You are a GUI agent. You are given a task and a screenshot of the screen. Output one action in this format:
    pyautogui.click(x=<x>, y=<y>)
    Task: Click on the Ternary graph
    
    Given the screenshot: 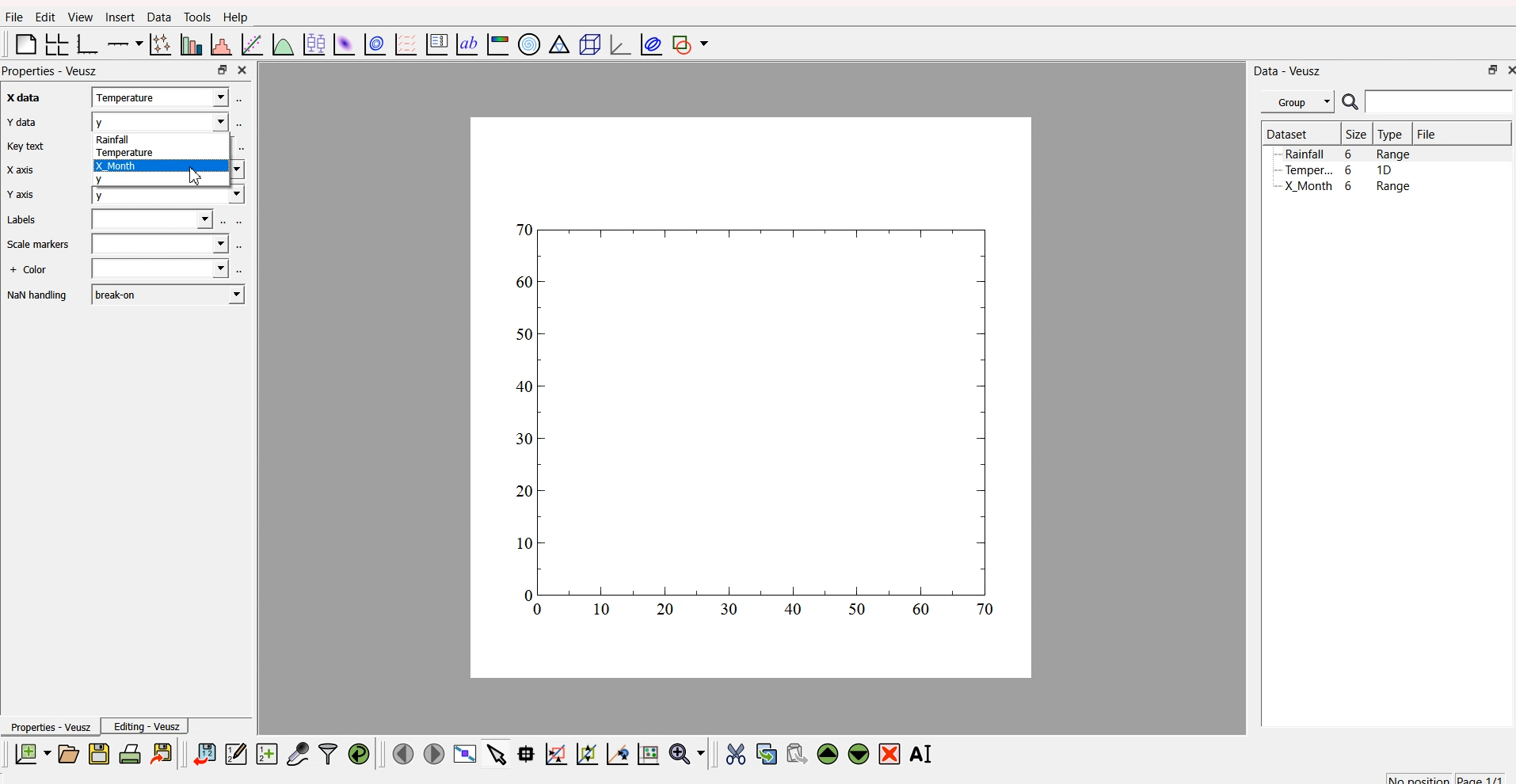 What is the action you would take?
    pyautogui.click(x=556, y=45)
    